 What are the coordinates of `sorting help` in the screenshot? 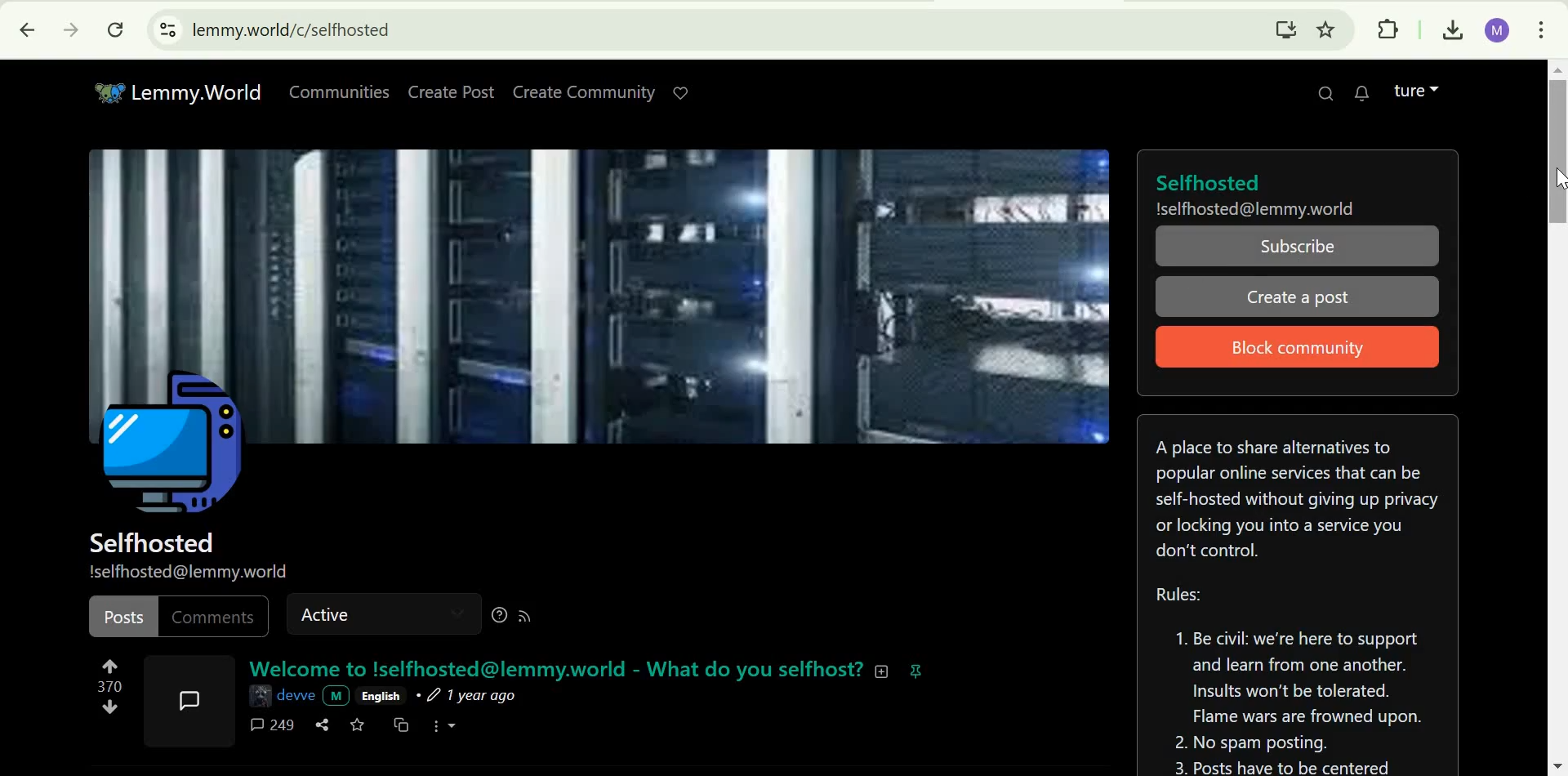 It's located at (498, 612).